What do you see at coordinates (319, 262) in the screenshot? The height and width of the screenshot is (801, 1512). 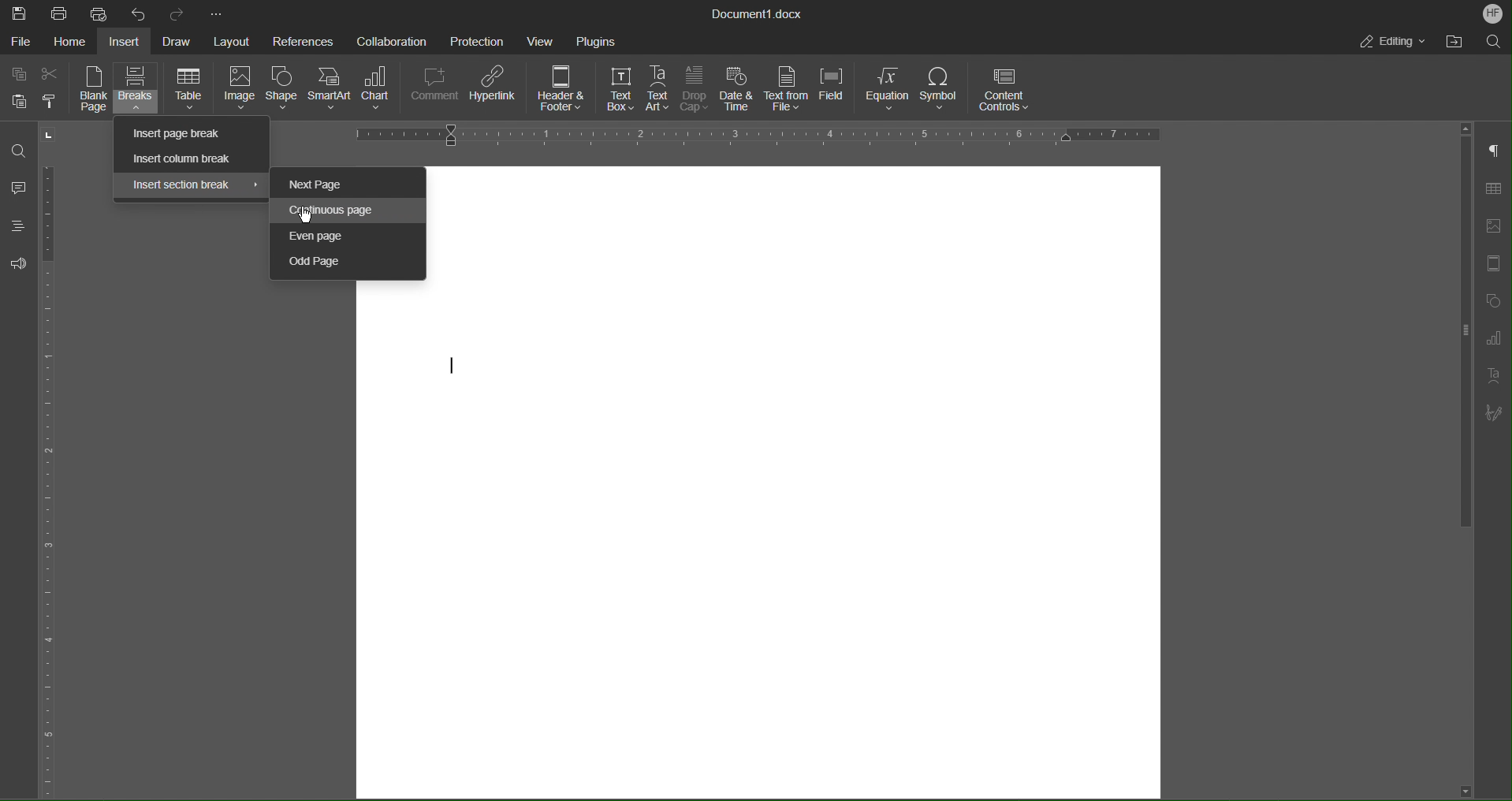 I see `Odd Page` at bounding box center [319, 262].